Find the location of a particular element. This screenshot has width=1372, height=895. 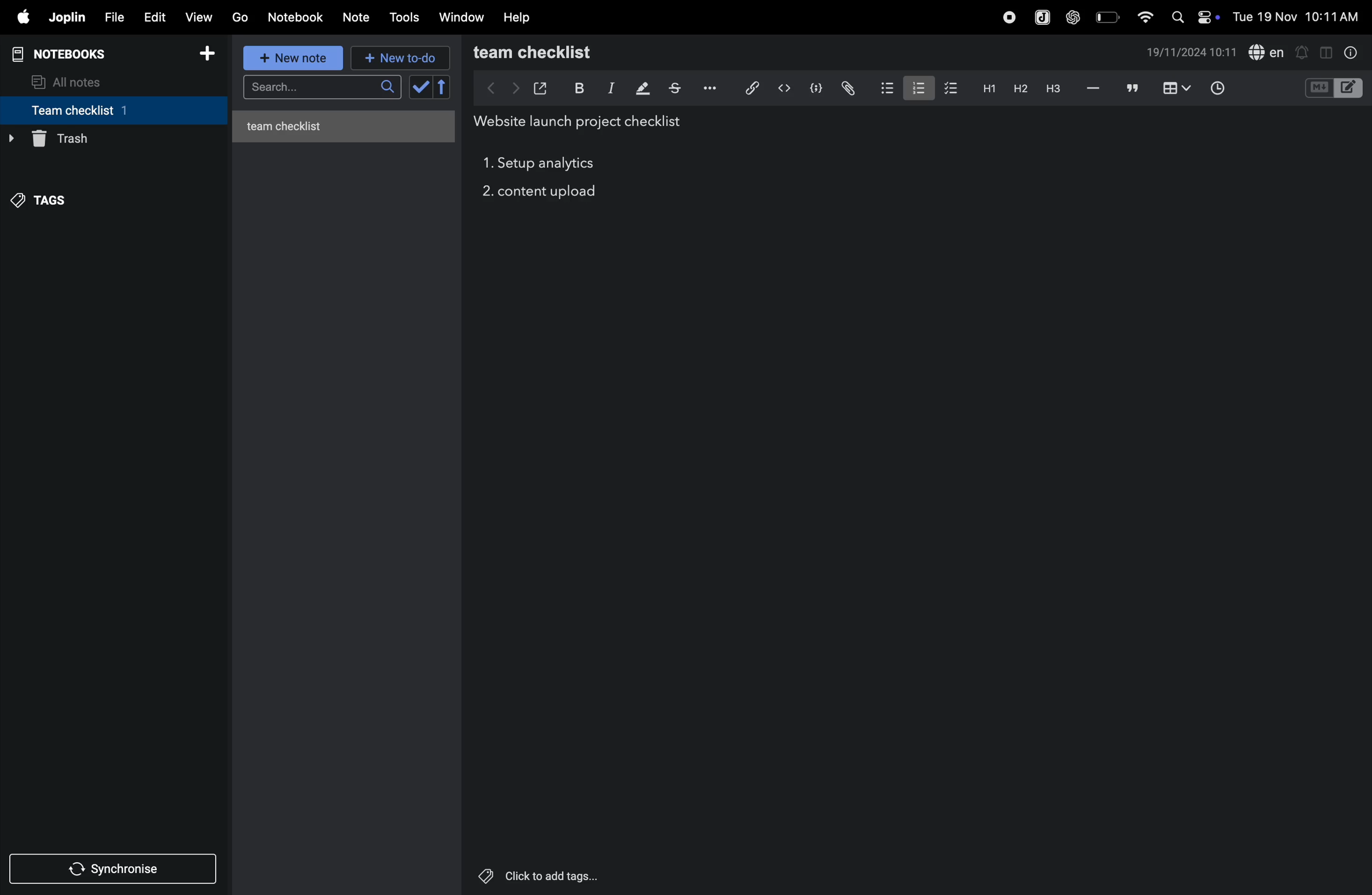

task 1 is located at coordinates (487, 165).